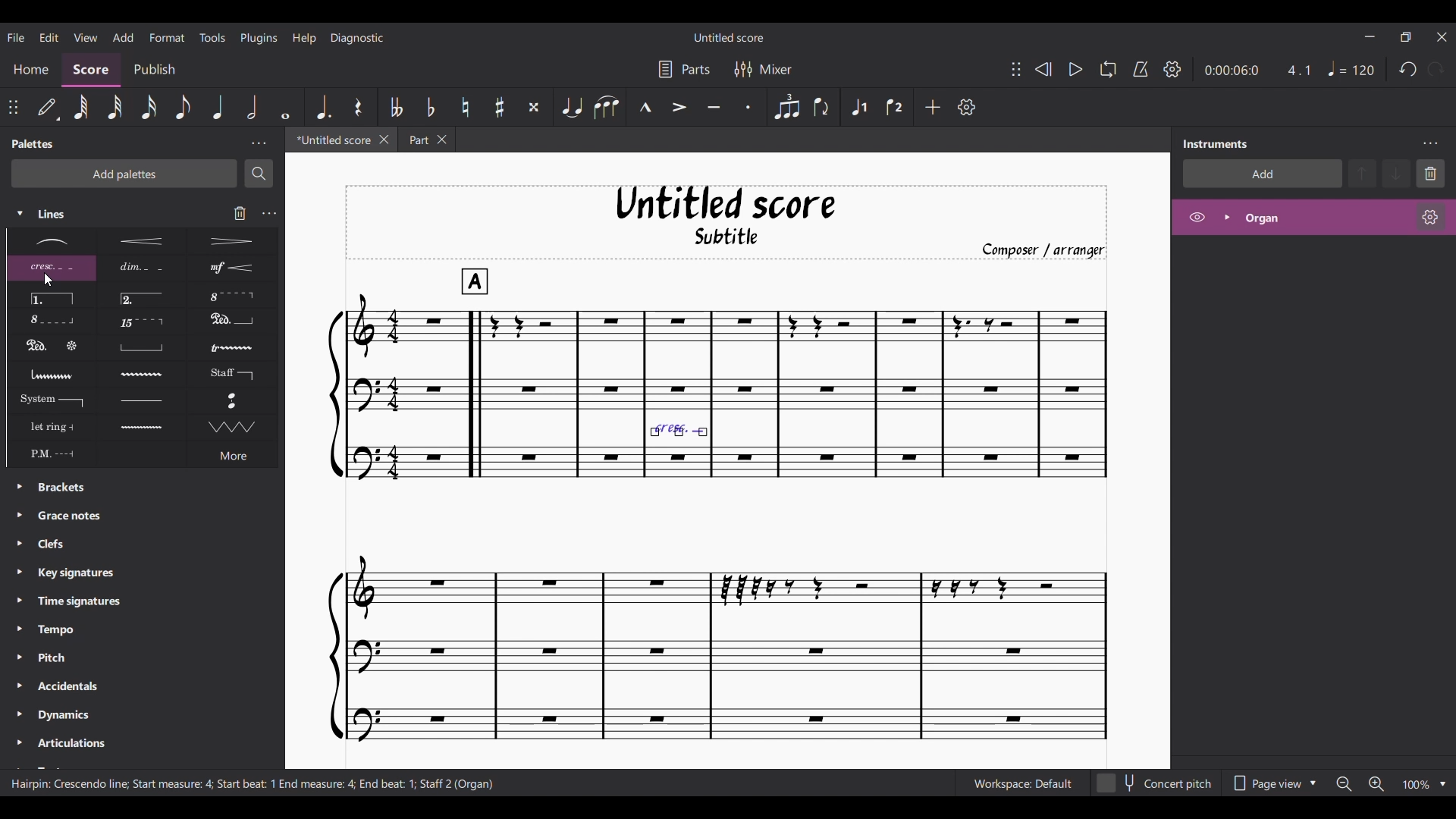 The image size is (1456, 819). What do you see at coordinates (466, 108) in the screenshot?
I see `Toggle natural` at bounding box center [466, 108].